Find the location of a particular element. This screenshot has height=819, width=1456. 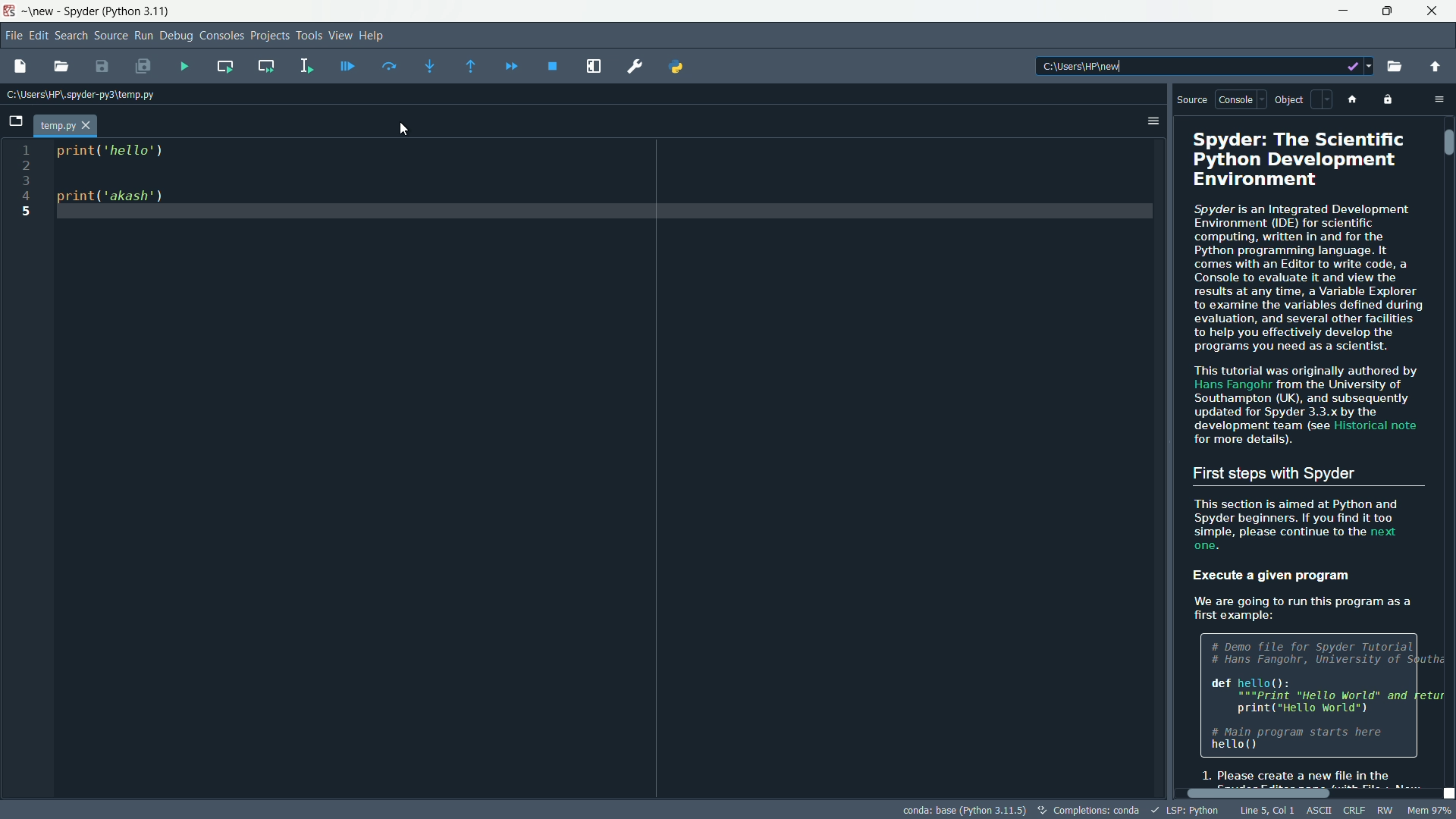

completions:conda is located at coordinates (1090, 810).